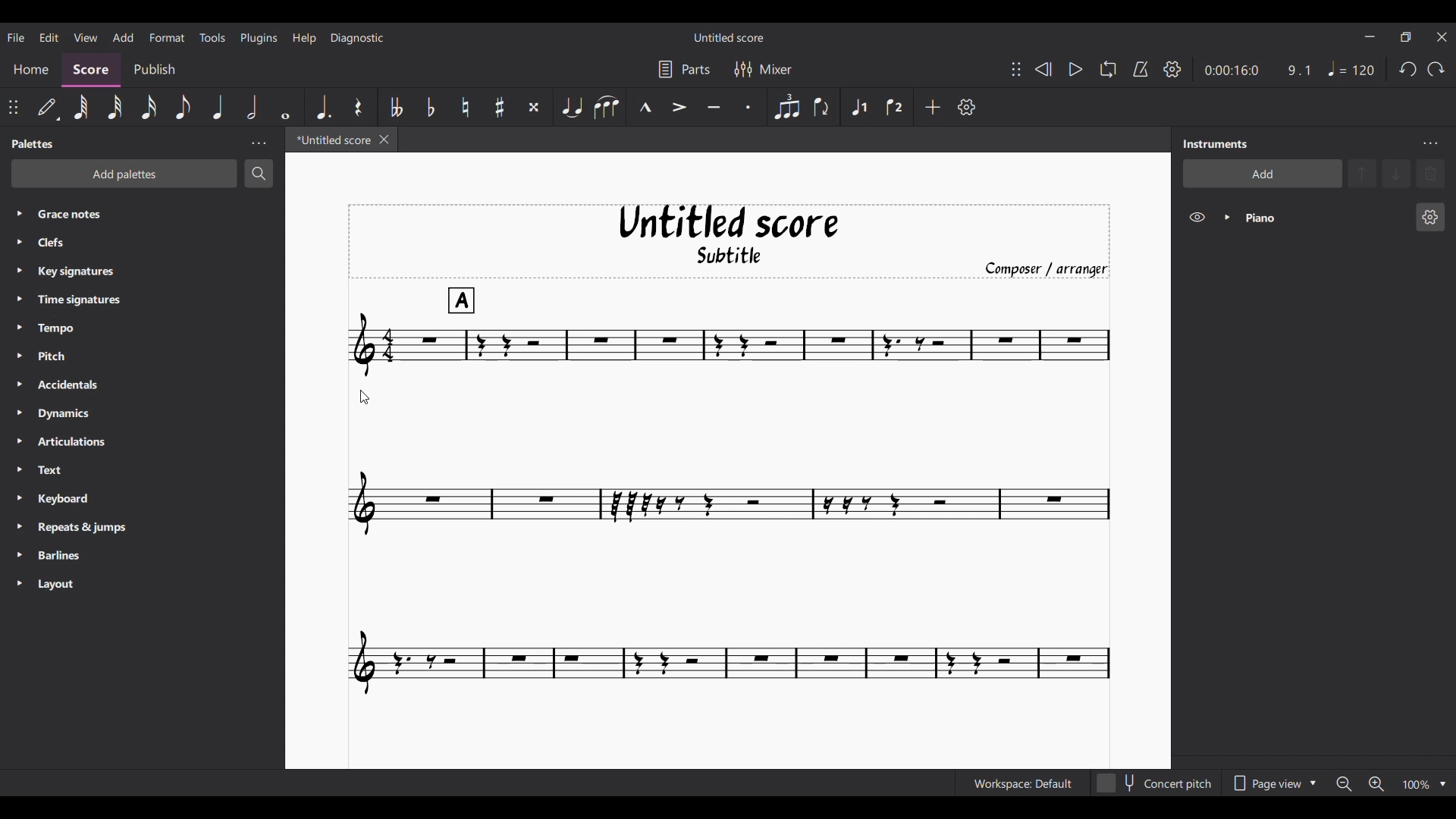  Describe the element at coordinates (85, 442) in the screenshot. I see `Articulations` at that location.